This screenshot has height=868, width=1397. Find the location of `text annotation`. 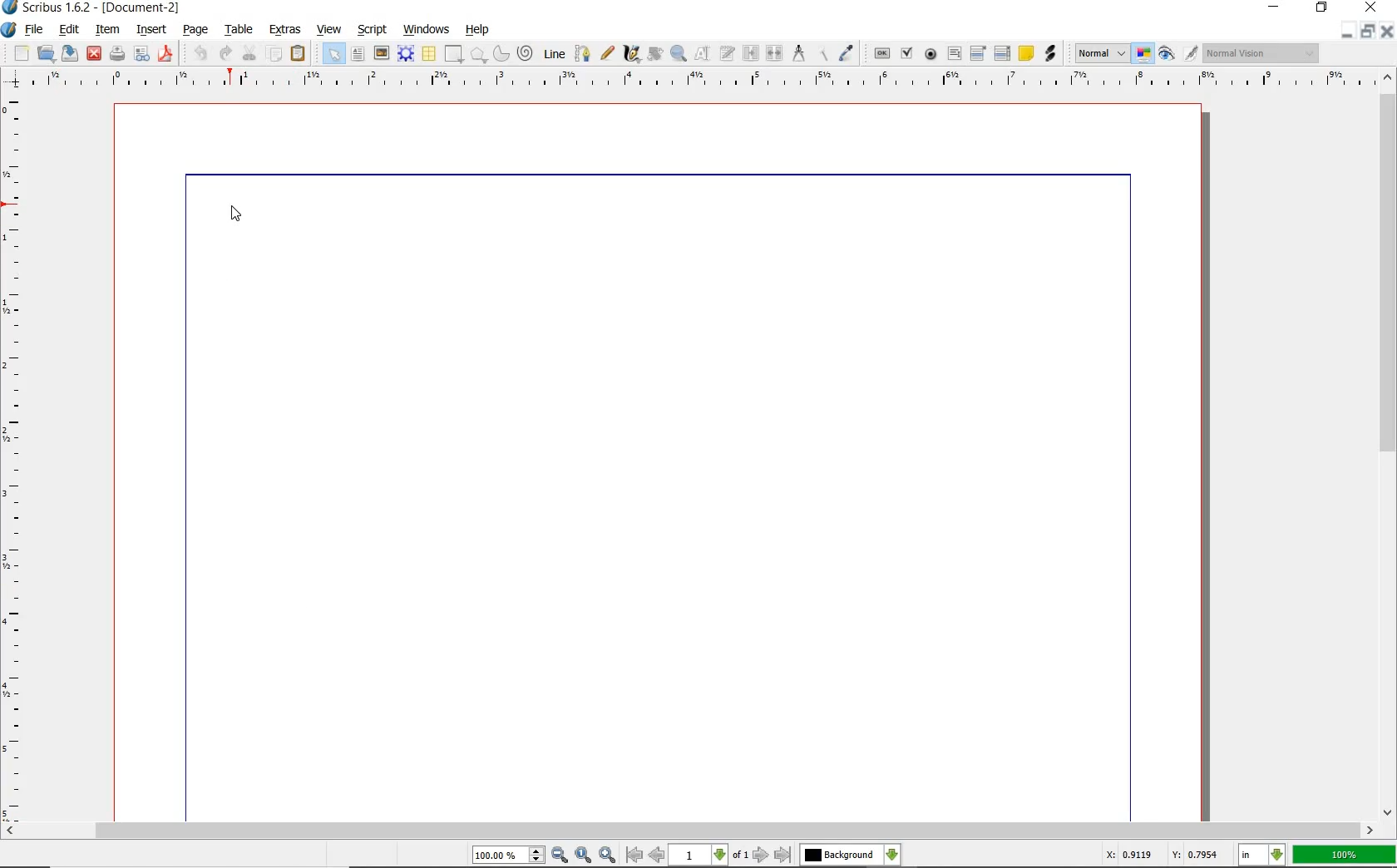

text annotation is located at coordinates (1026, 52).